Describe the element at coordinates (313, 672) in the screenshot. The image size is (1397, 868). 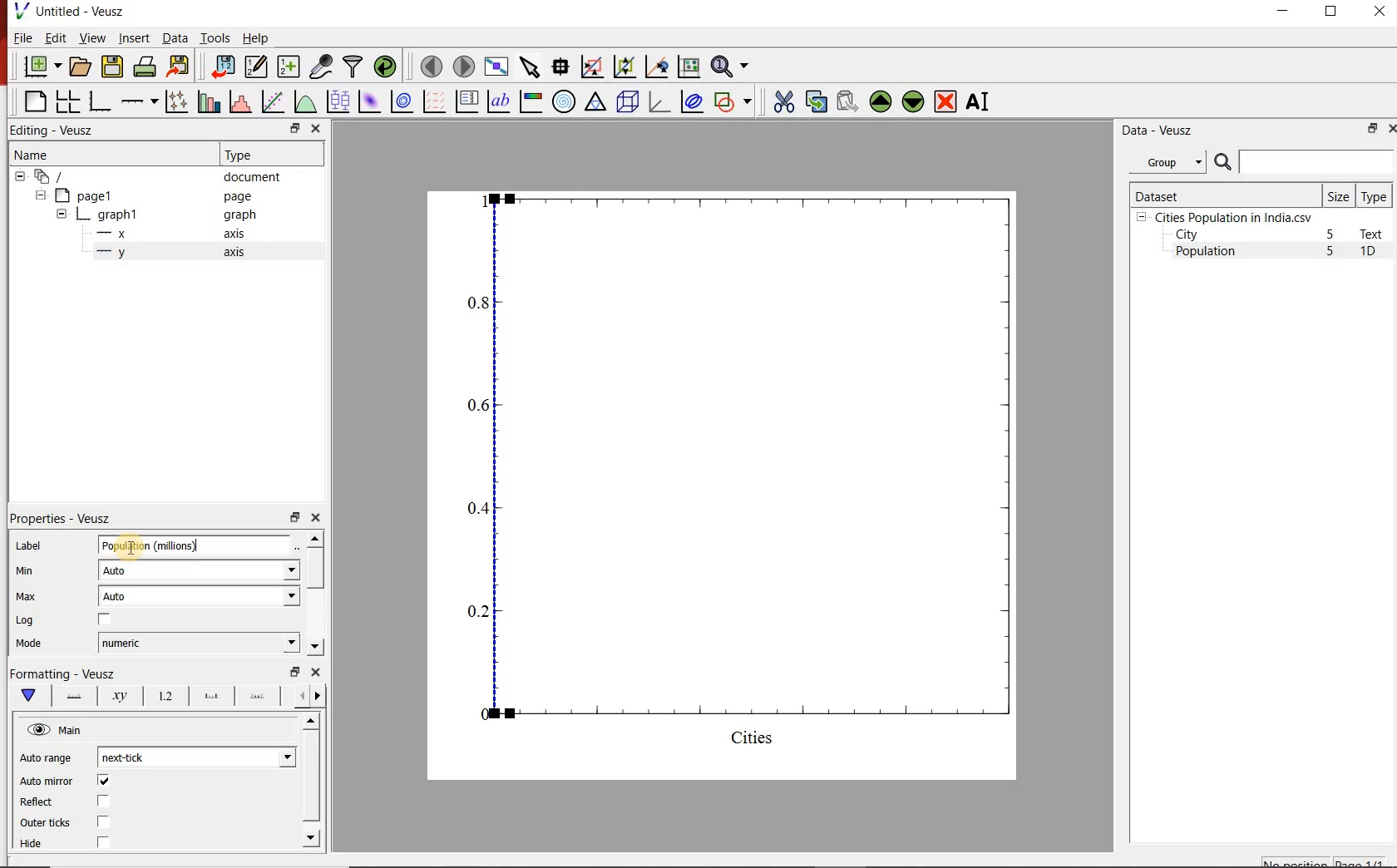
I see `close` at that location.